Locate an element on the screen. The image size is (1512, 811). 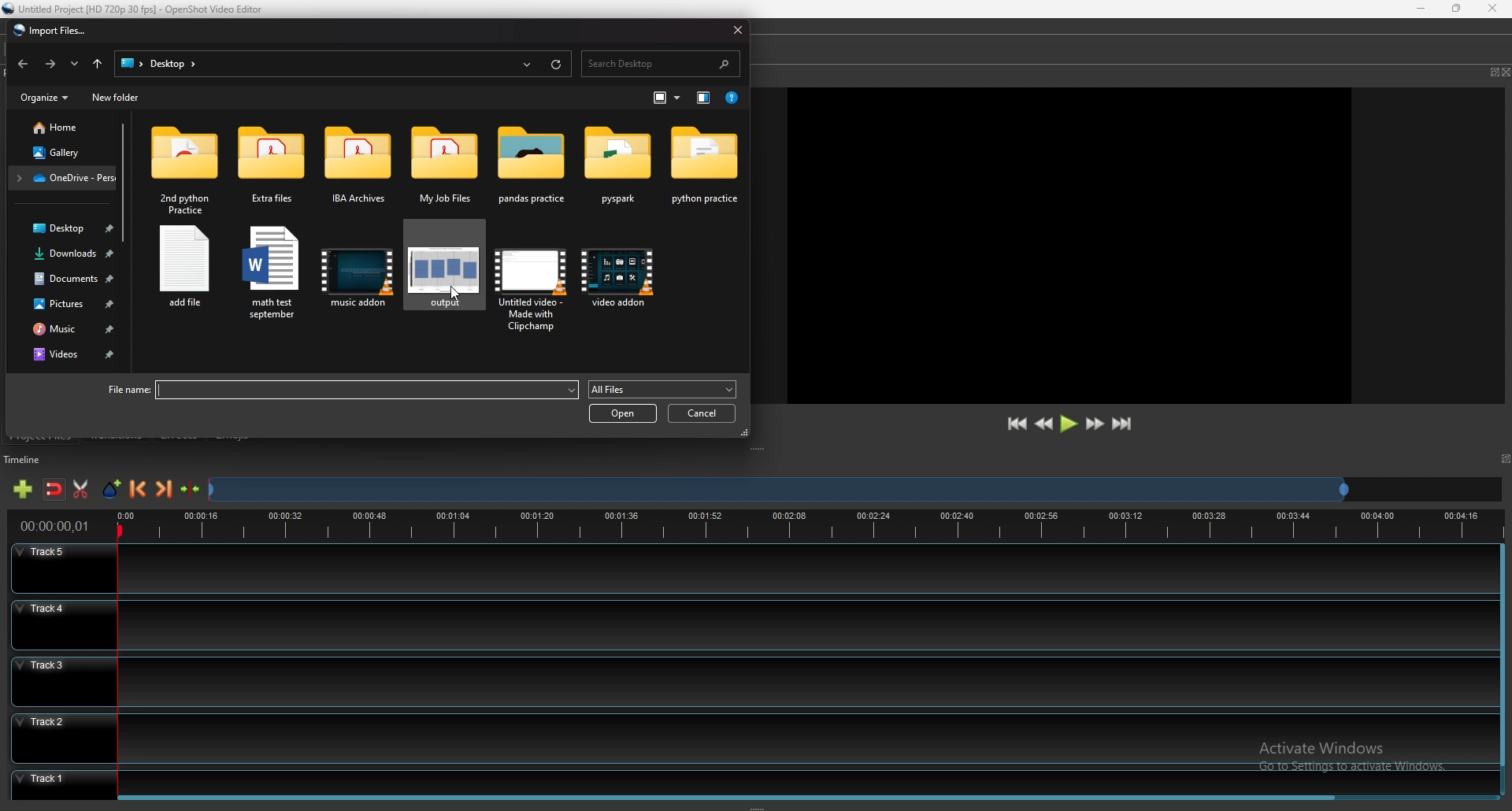
seek is located at coordinates (777, 491).